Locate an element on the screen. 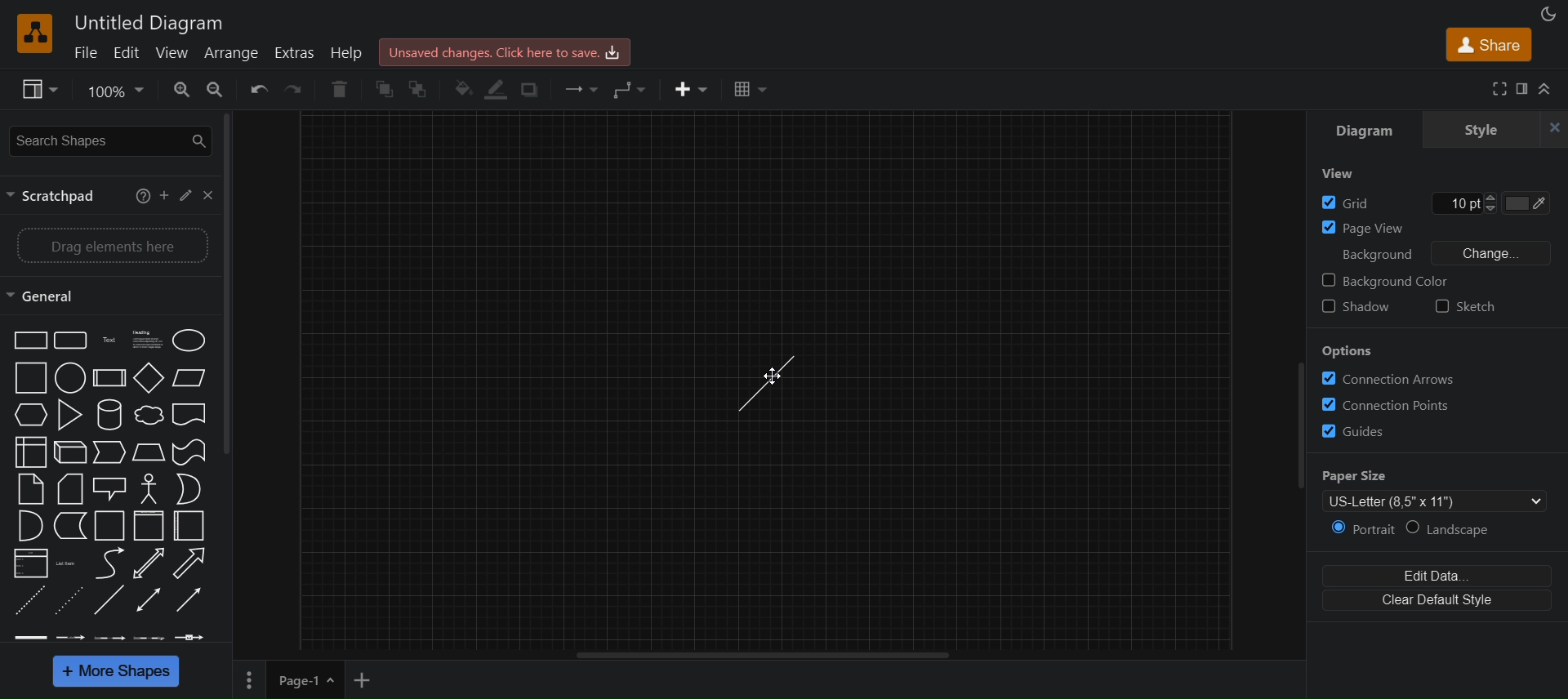 This screenshot has height=699, width=1568. share is located at coordinates (1490, 47).